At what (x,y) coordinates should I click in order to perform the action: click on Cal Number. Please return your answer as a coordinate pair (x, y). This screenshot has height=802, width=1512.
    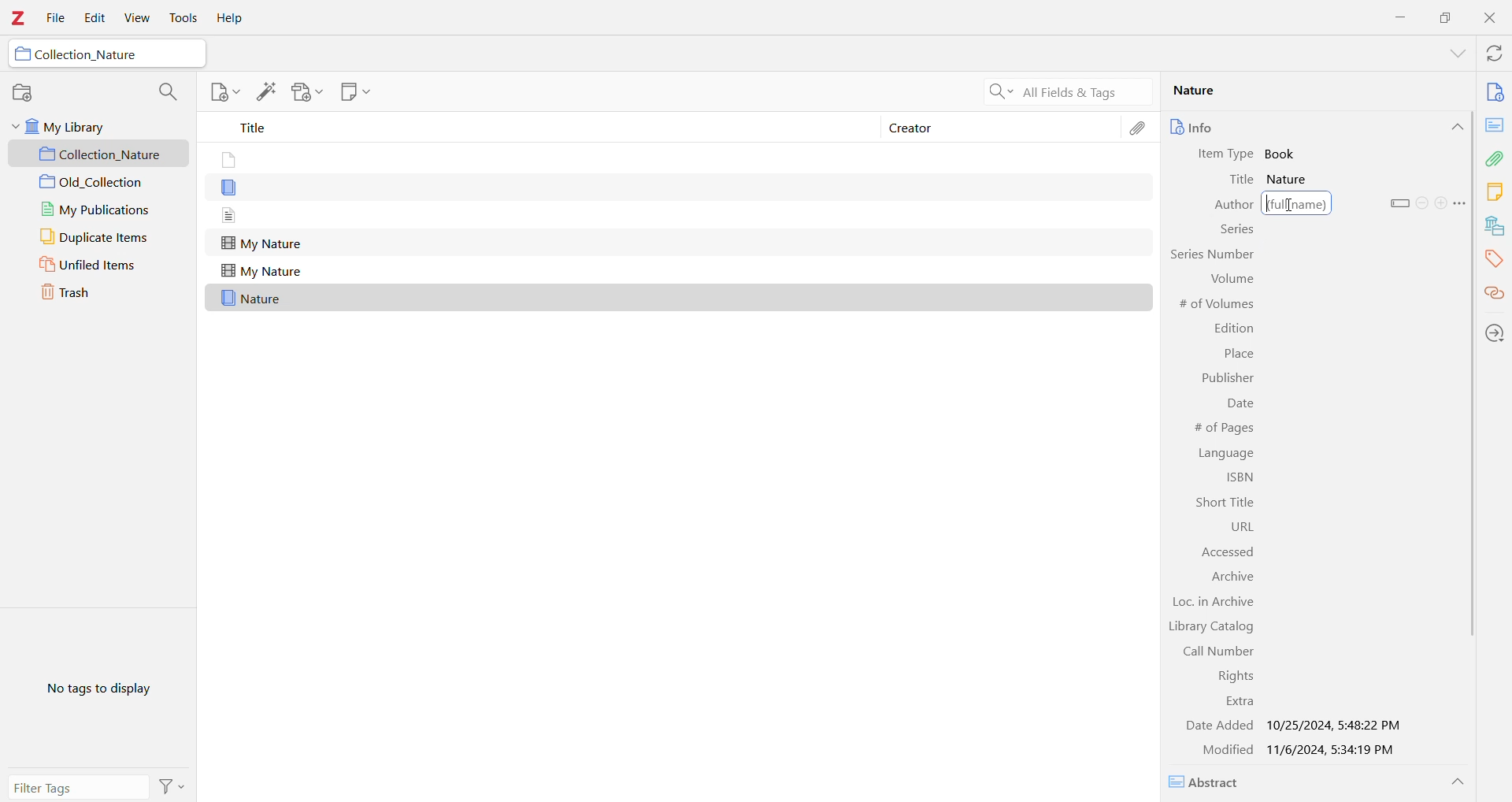
    Looking at the image, I should click on (1210, 652).